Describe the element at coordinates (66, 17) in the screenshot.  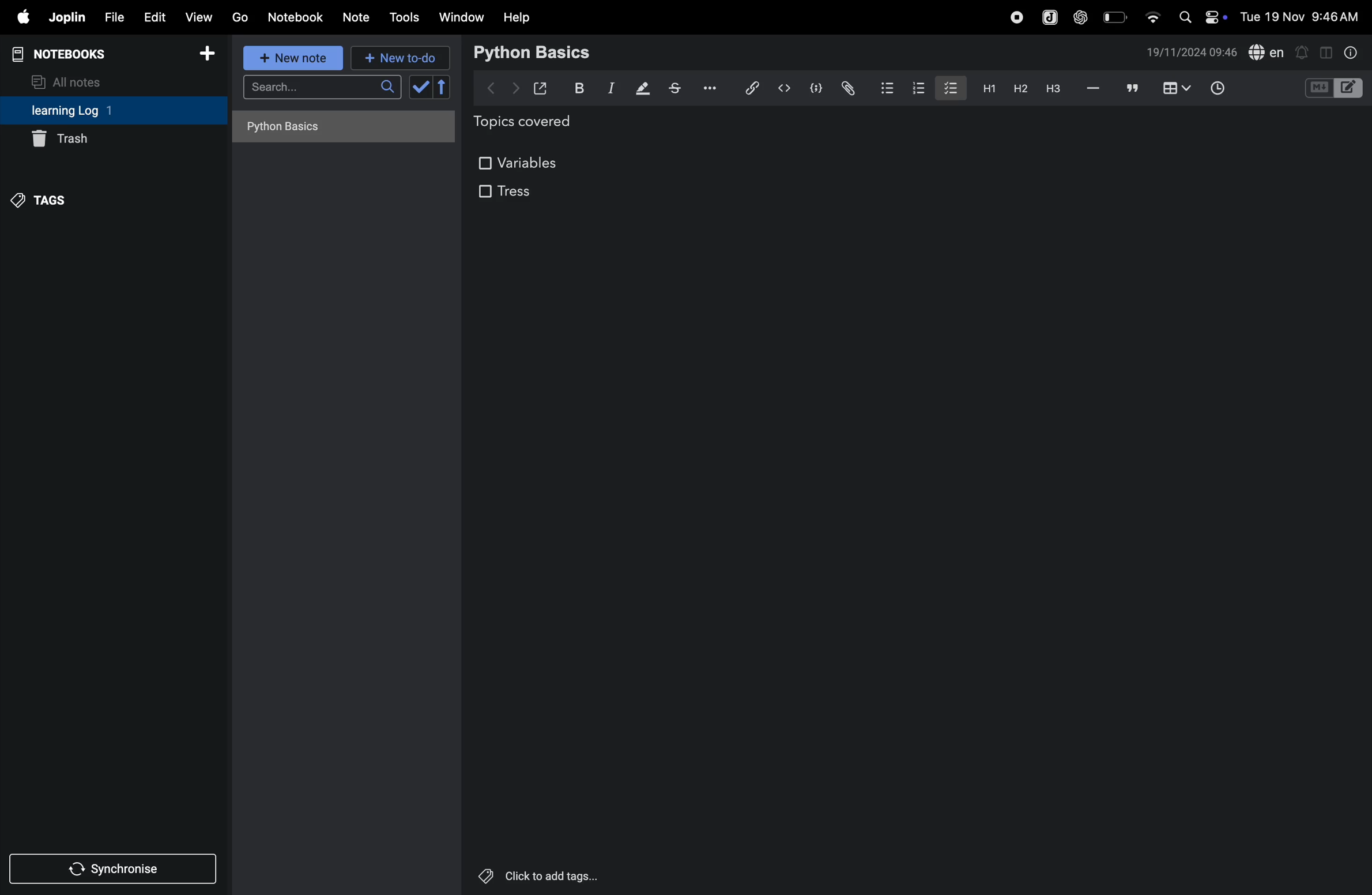
I see `joplin` at that location.